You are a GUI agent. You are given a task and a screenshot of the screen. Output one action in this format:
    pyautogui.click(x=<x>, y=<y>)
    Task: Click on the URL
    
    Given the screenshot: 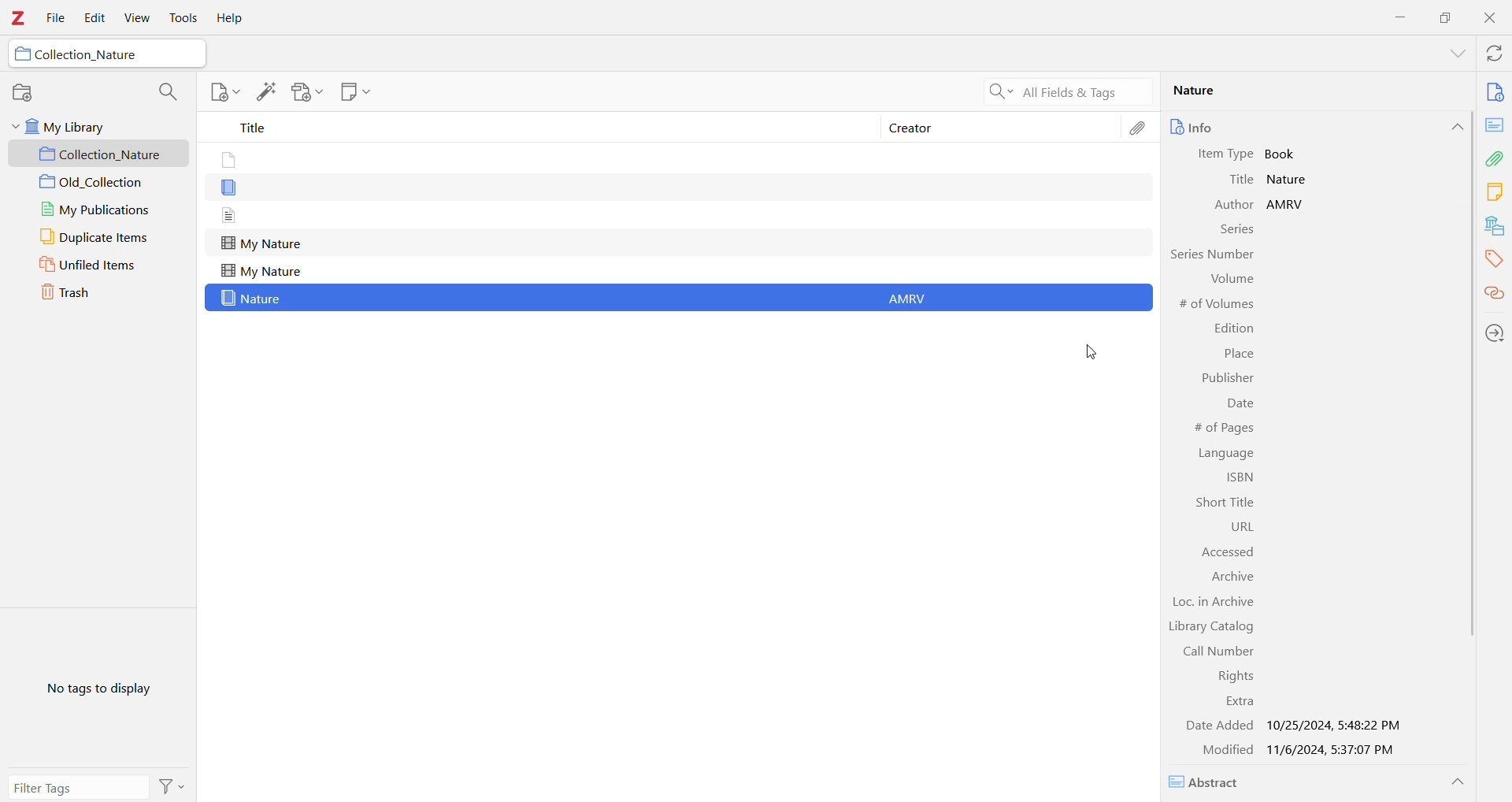 What is the action you would take?
    pyautogui.click(x=1231, y=526)
    